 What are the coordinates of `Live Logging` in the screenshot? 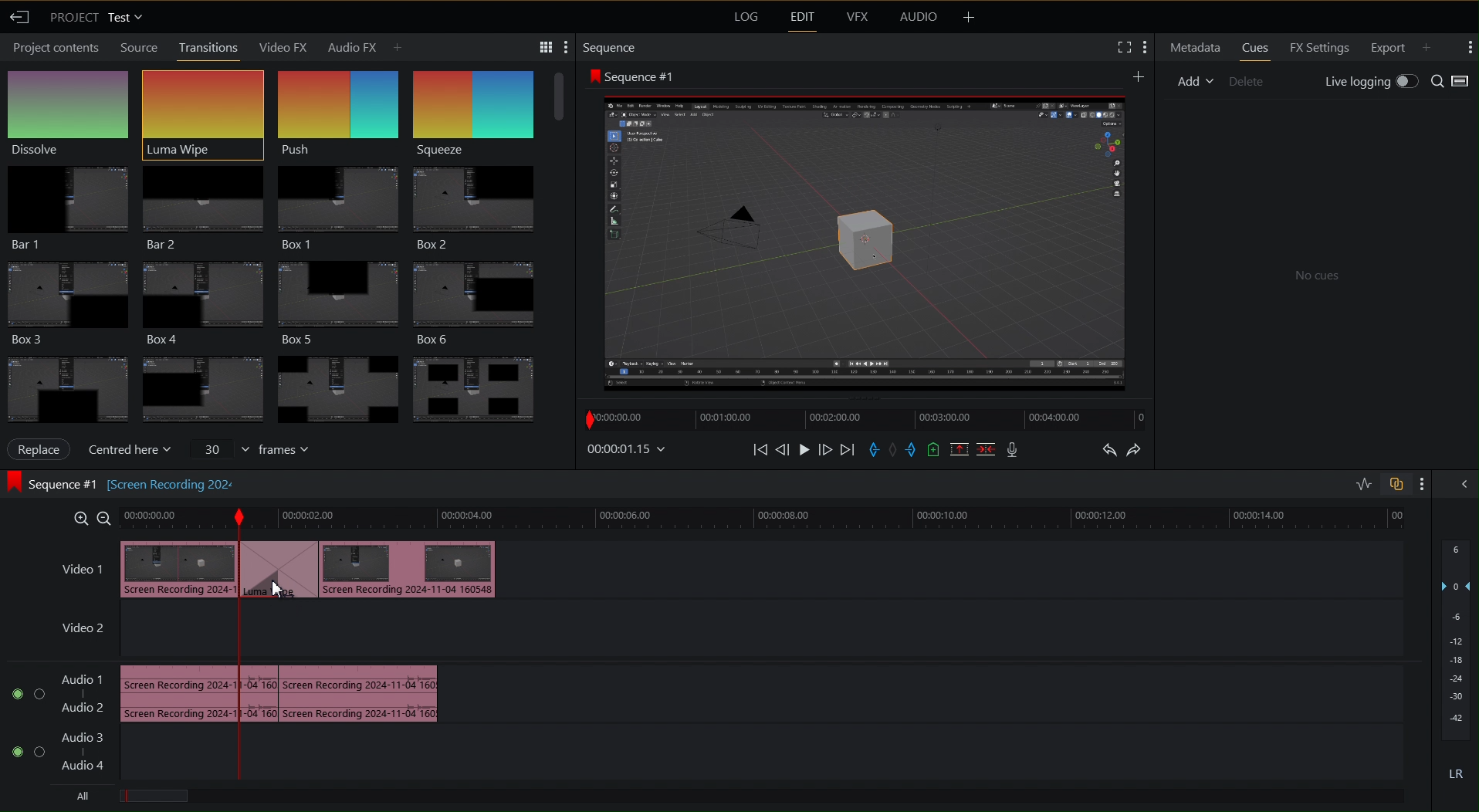 It's located at (1371, 80).